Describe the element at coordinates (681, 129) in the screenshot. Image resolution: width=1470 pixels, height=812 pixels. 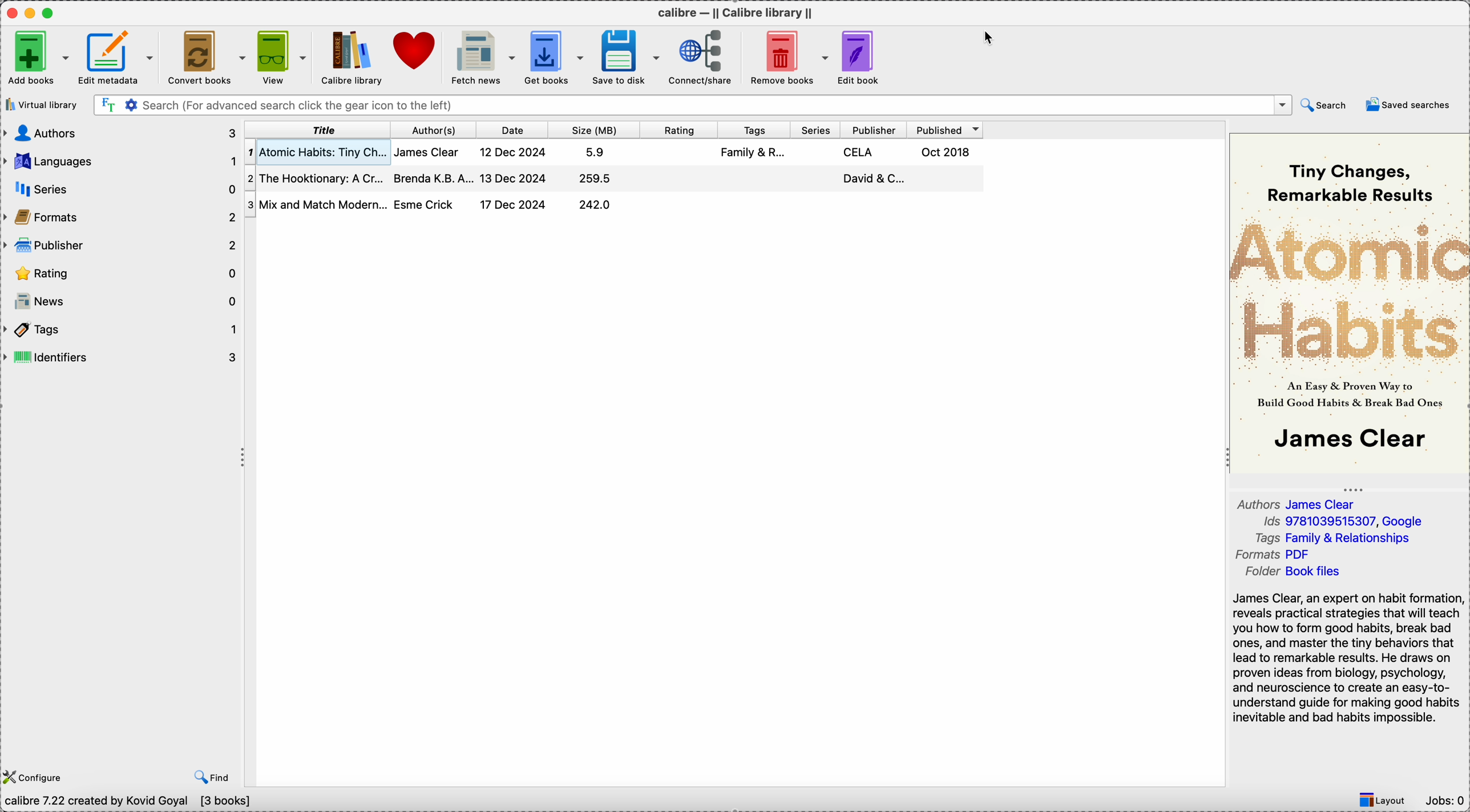
I see `rating` at that location.